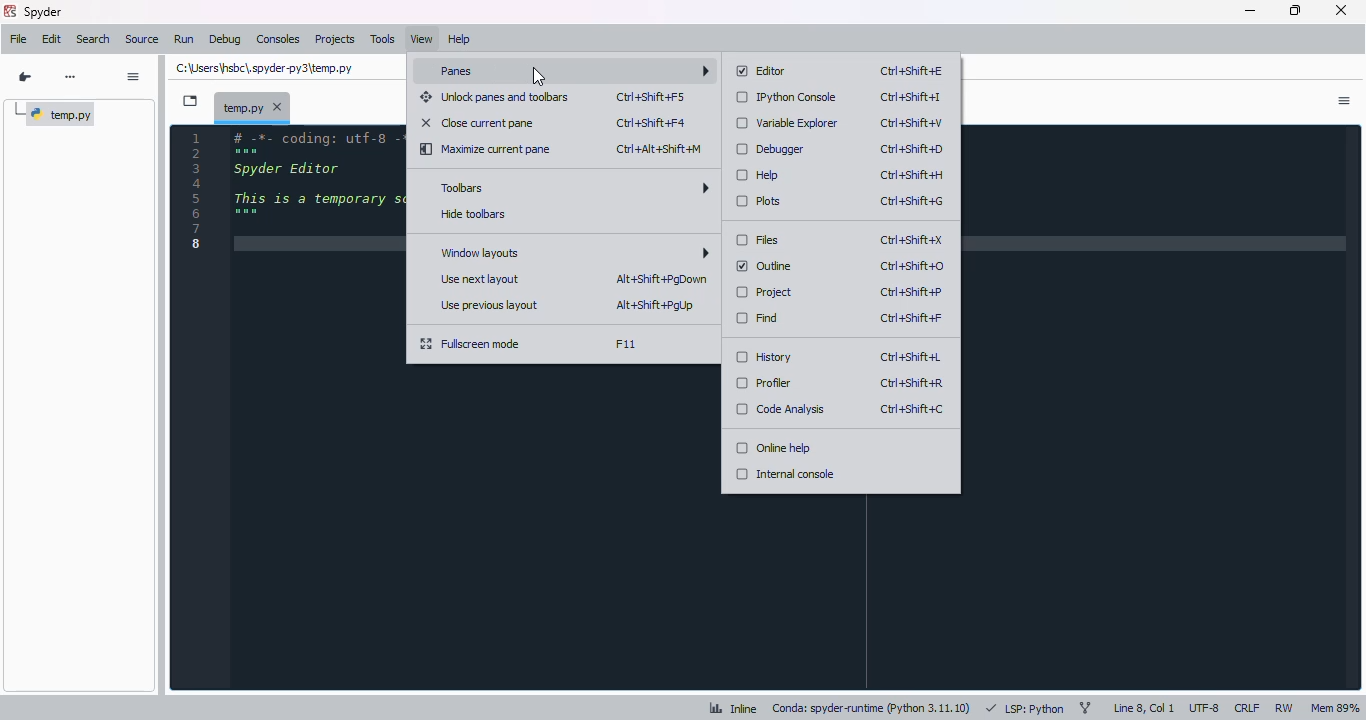 Image resolution: width=1366 pixels, height=720 pixels. What do you see at coordinates (1144, 707) in the screenshot?
I see `line 8, col 1` at bounding box center [1144, 707].